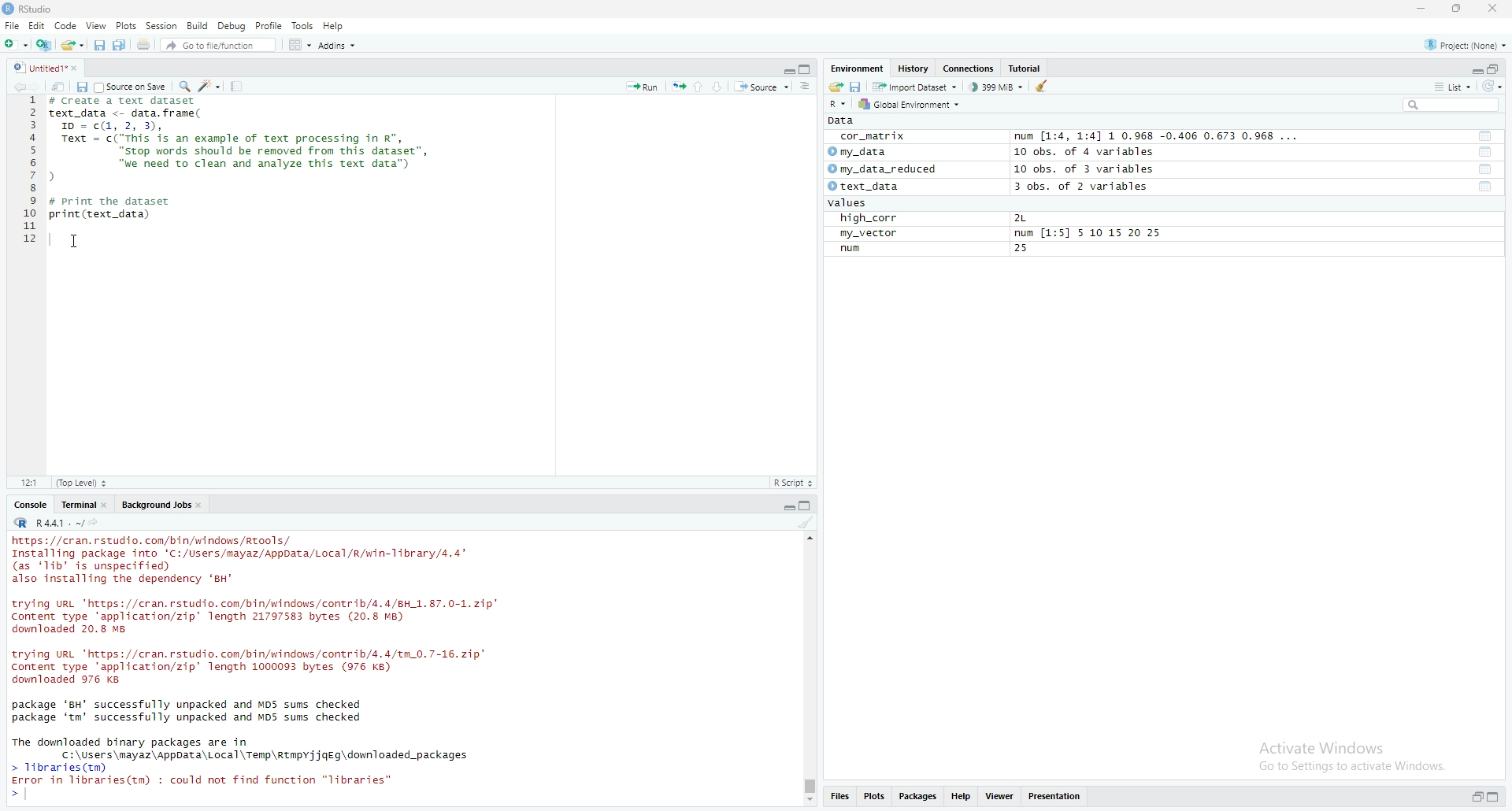 Image resolution: width=1512 pixels, height=811 pixels. Describe the element at coordinates (864, 218) in the screenshot. I see `high_corr` at that location.